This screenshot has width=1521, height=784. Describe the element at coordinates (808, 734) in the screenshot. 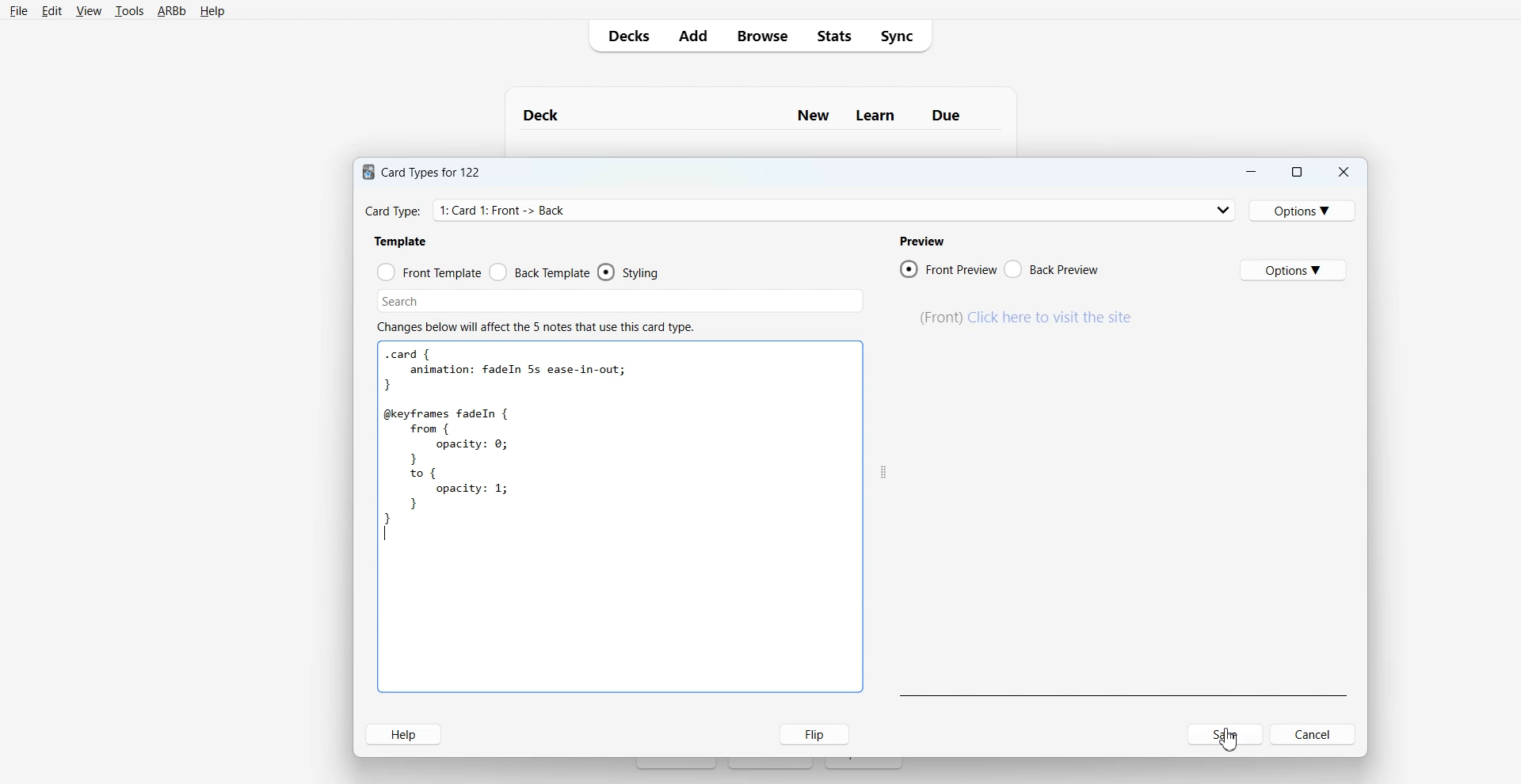

I see `Flip` at that location.